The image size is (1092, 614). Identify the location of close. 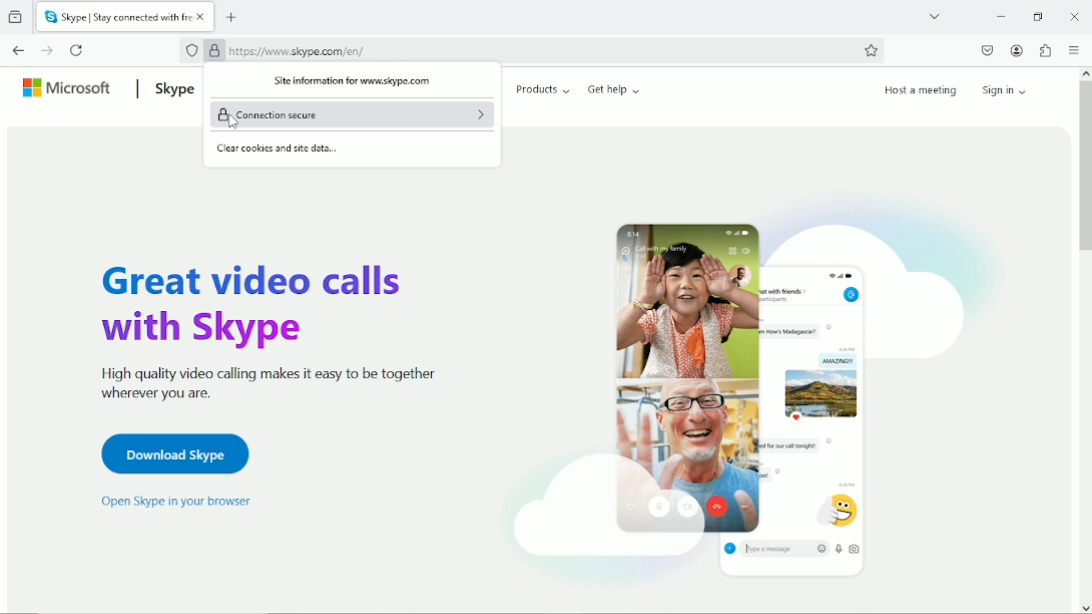
(1075, 16).